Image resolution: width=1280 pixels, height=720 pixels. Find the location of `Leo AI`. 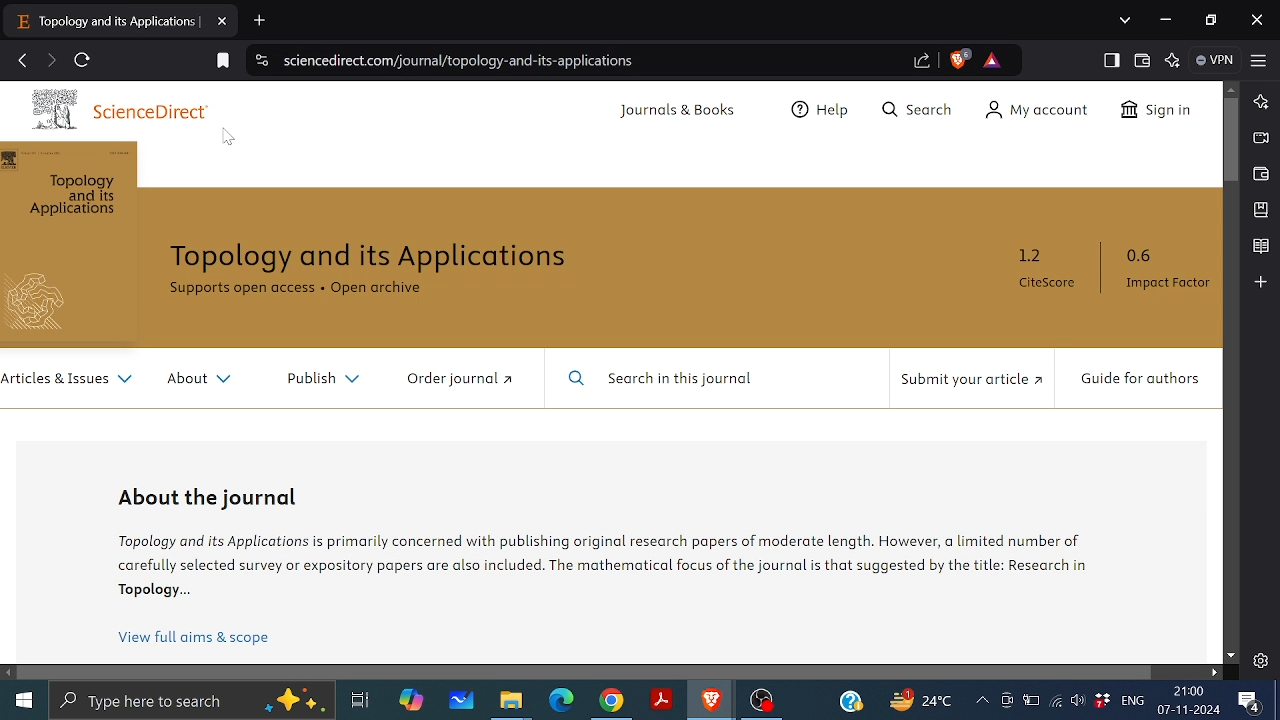

Leo AI is located at coordinates (1173, 62).